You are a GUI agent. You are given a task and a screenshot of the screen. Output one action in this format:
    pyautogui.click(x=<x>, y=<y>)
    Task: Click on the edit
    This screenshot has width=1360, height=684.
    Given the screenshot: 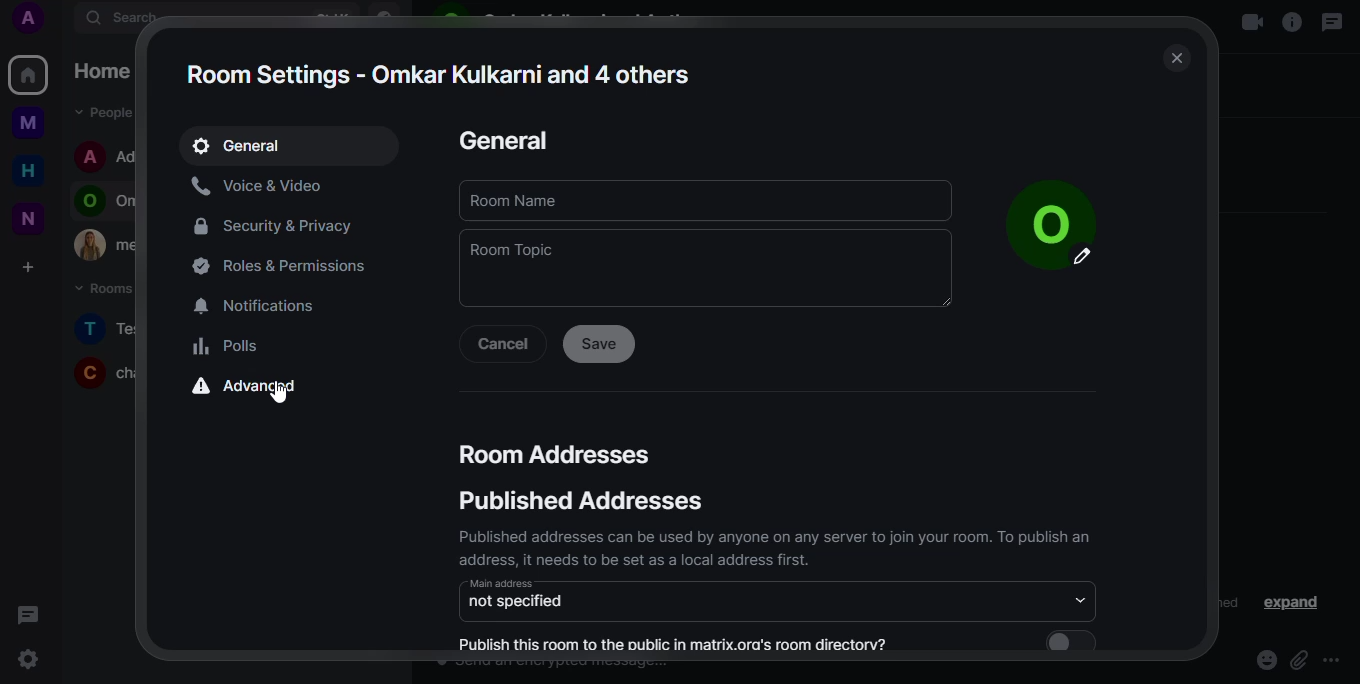 What is the action you would take?
    pyautogui.click(x=1083, y=258)
    